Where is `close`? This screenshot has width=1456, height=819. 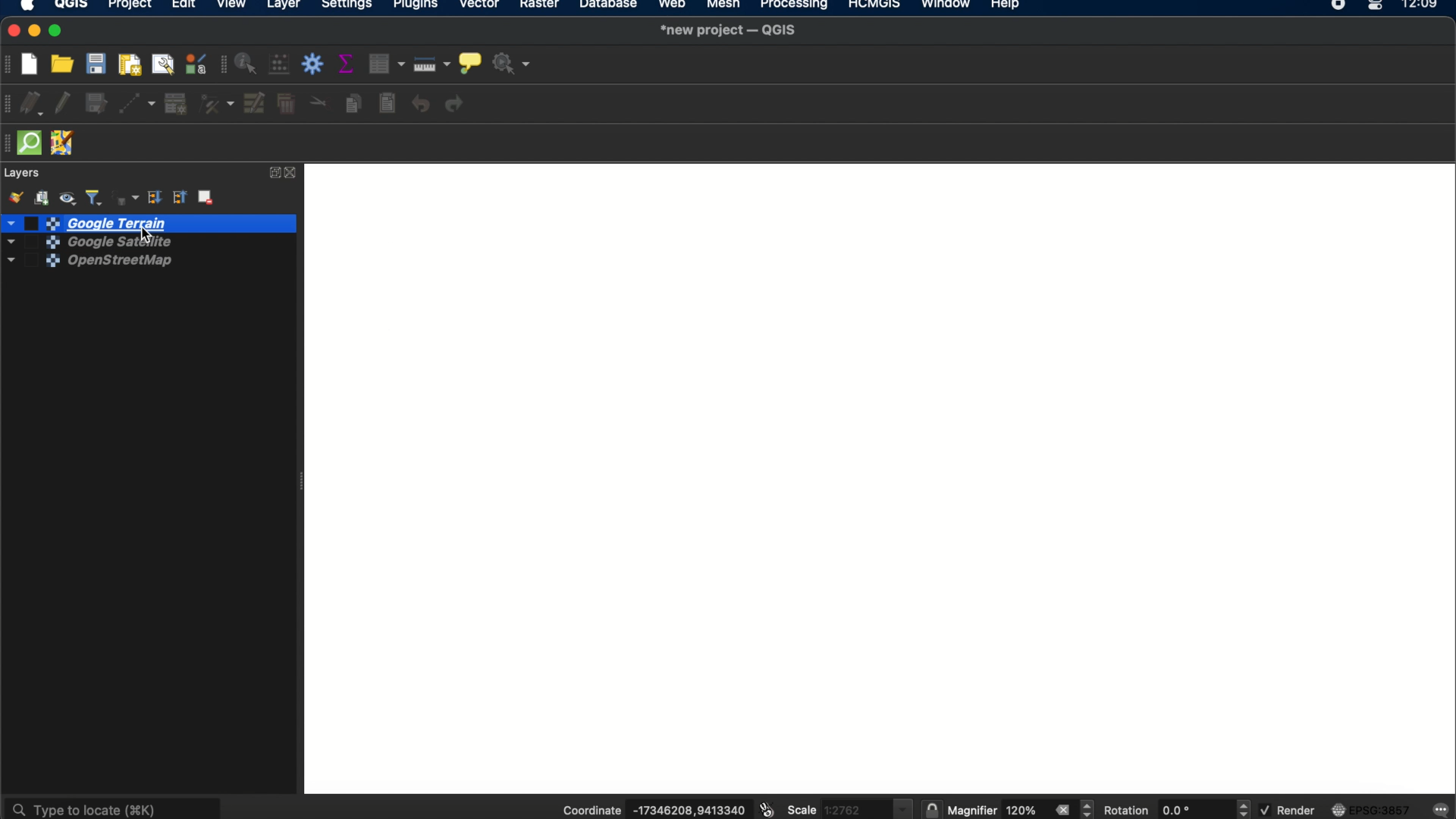 close is located at coordinates (11, 31).